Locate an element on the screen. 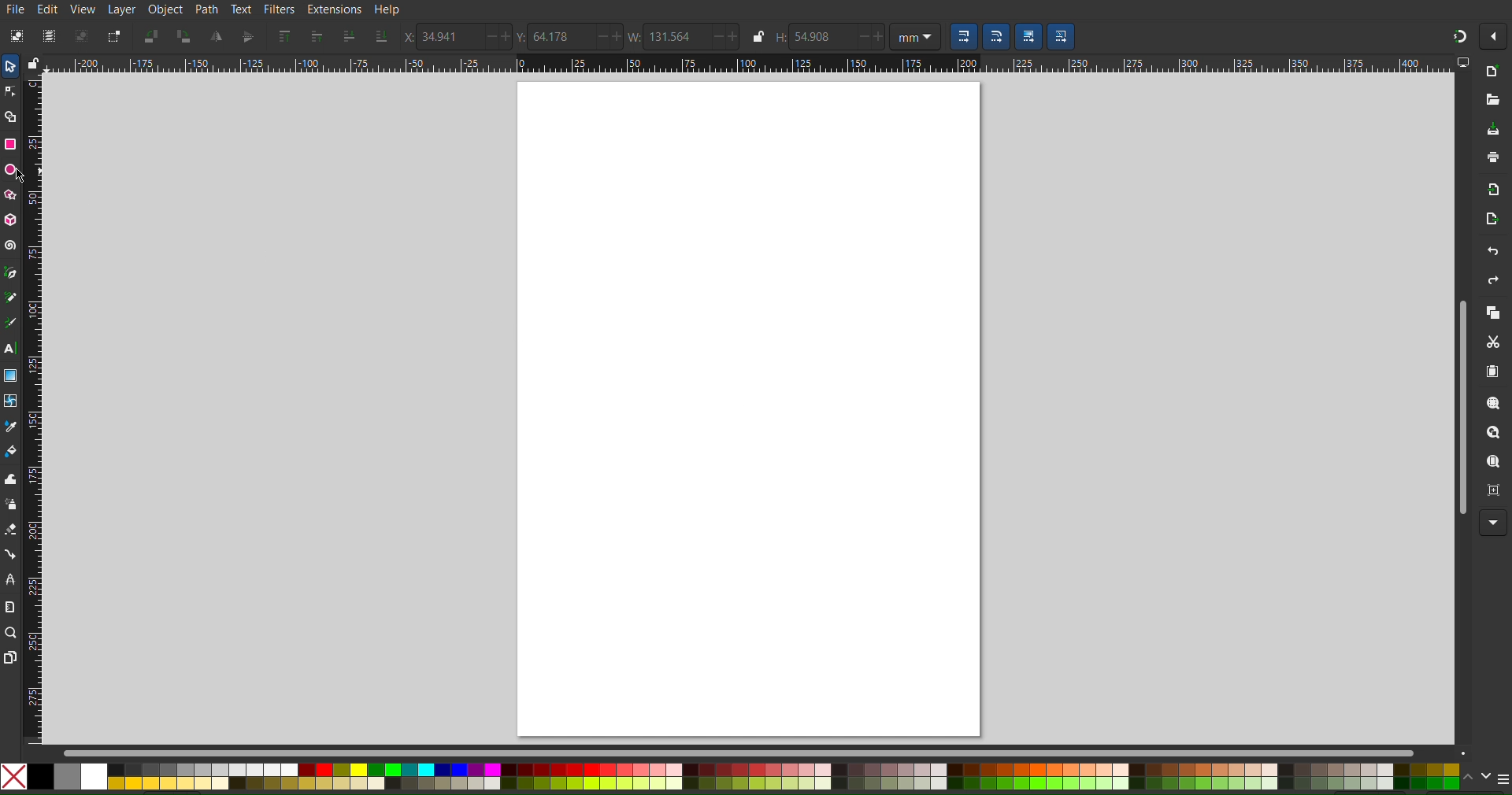 The image size is (1512, 795). Redo is located at coordinates (1493, 280).